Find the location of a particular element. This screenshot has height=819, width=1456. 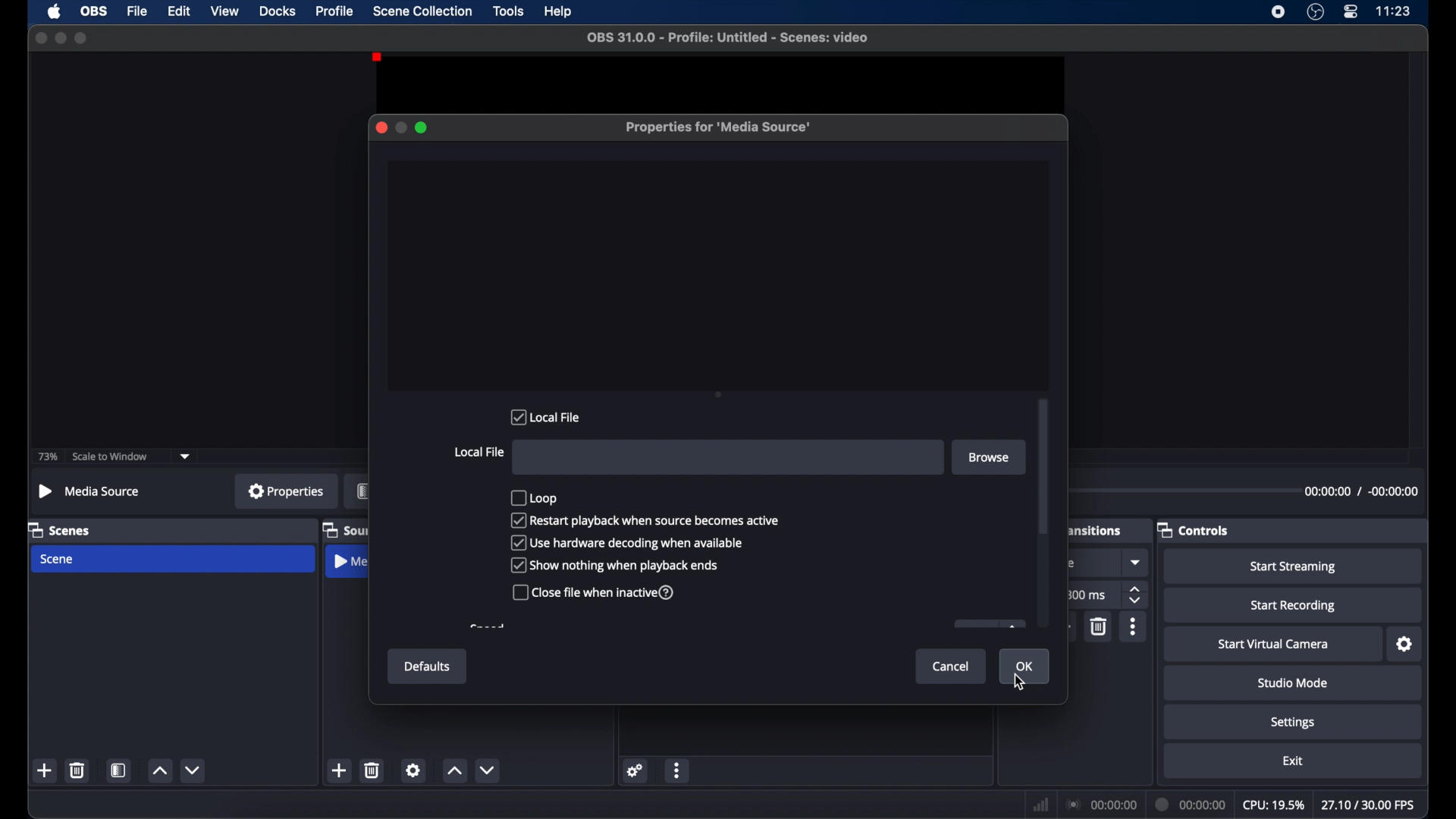

start streaming is located at coordinates (1295, 567).